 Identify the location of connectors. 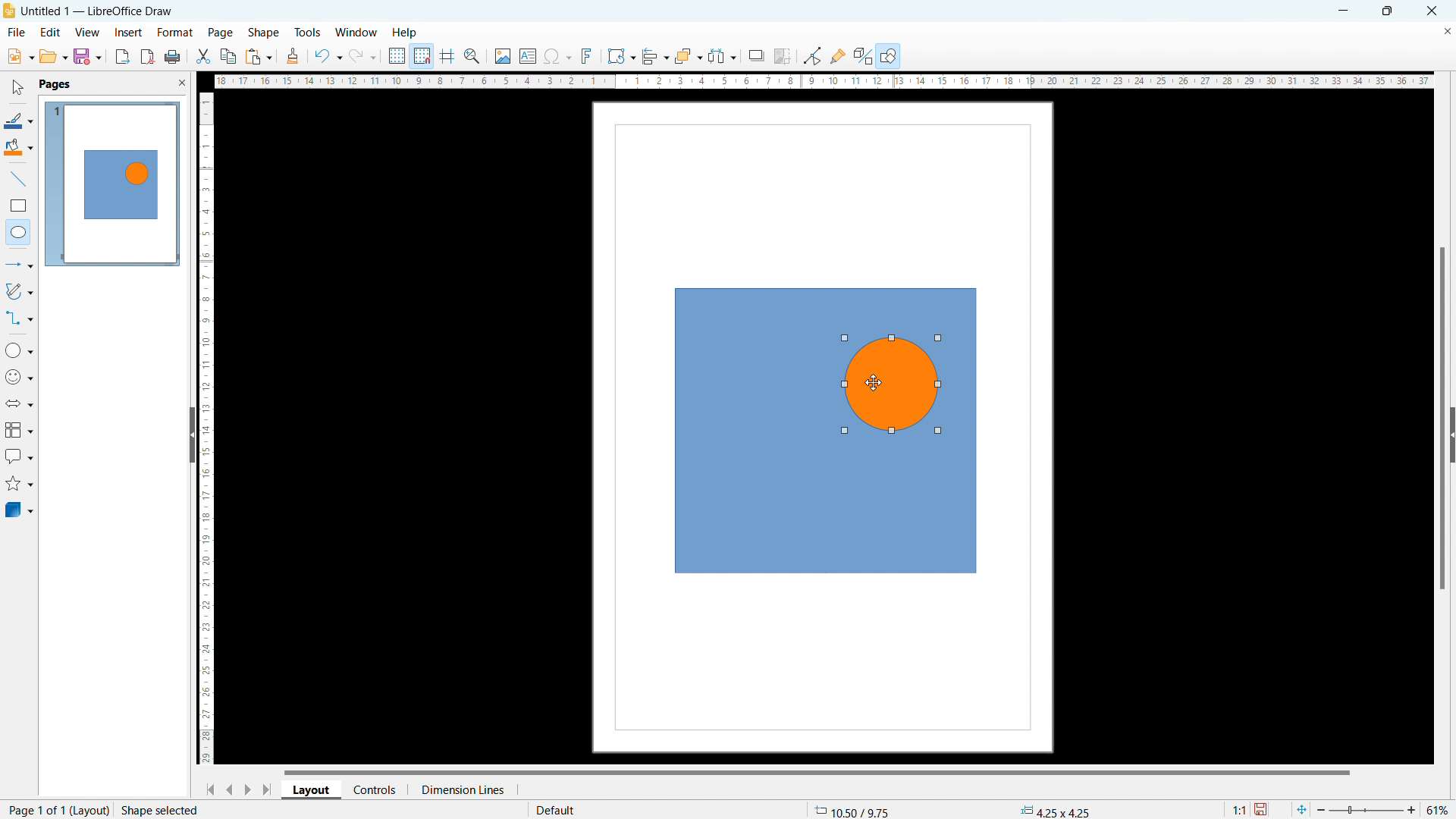
(20, 318).